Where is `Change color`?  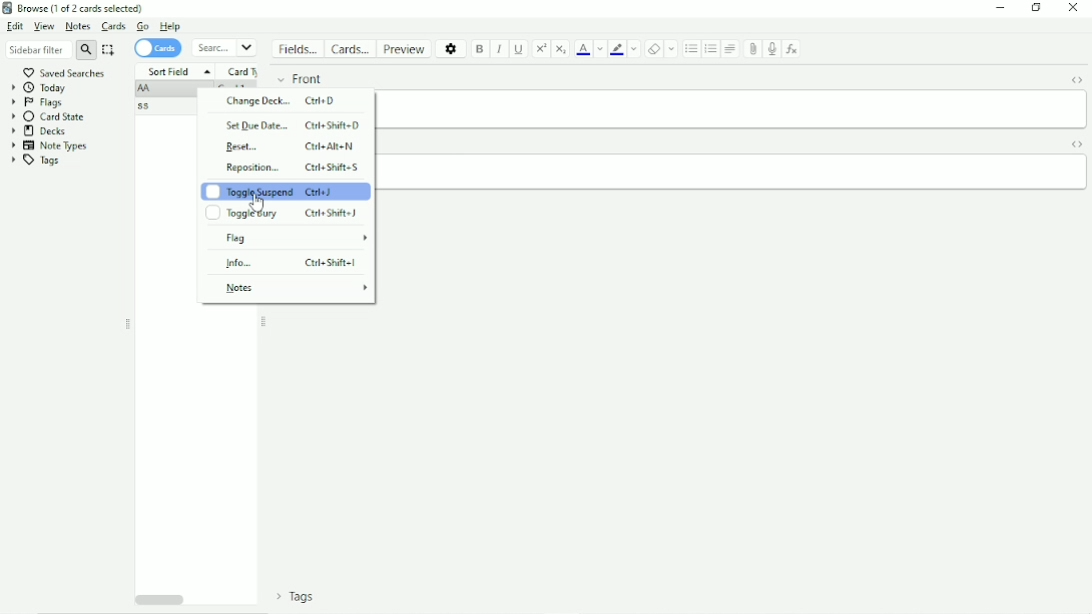
Change color is located at coordinates (601, 48).